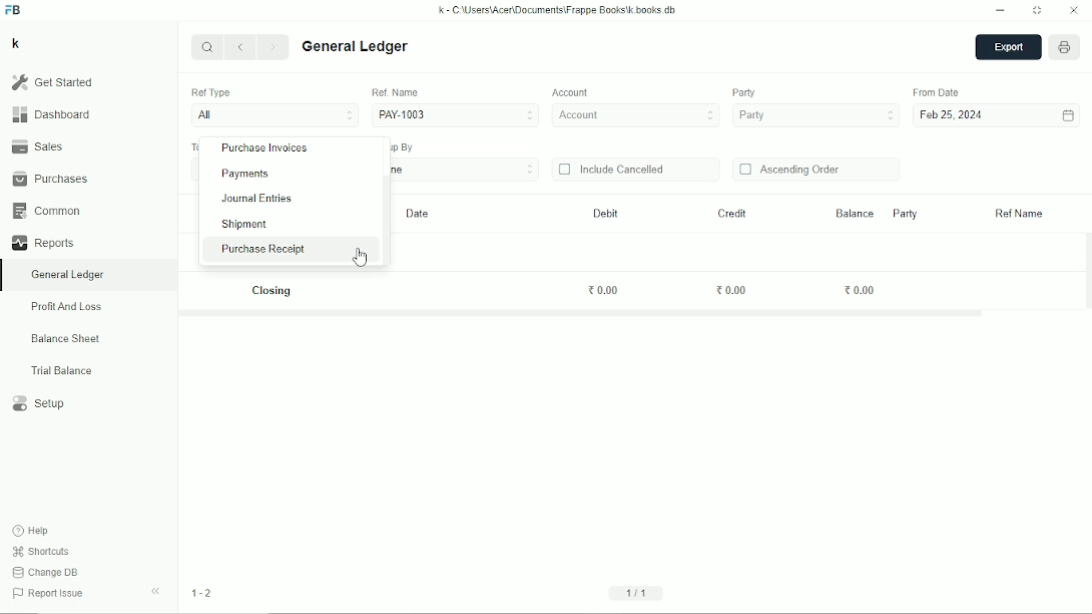 The image size is (1092, 614). Describe the element at coordinates (68, 275) in the screenshot. I see `General ledger` at that location.